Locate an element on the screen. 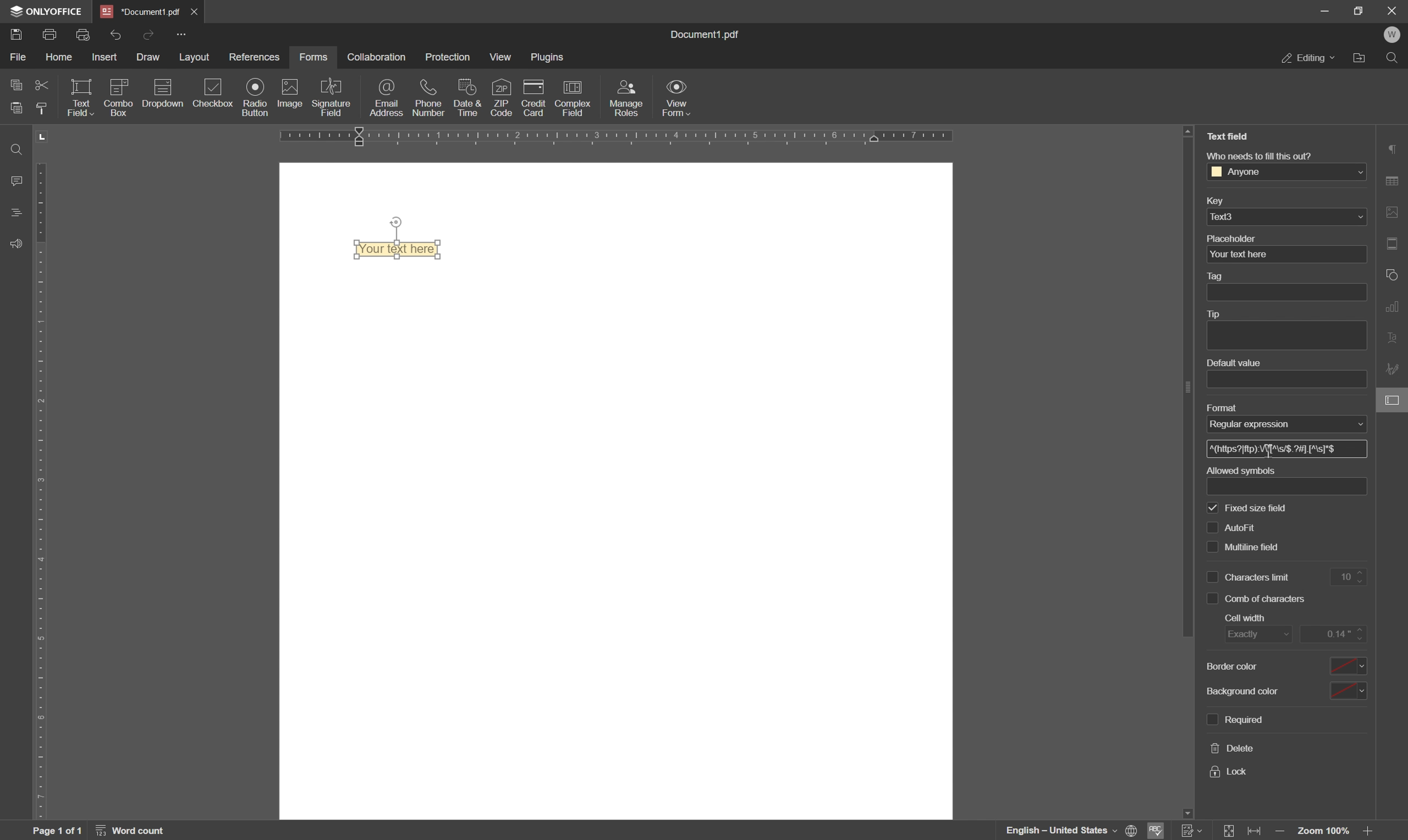 The image size is (1408, 840). shape settings is located at coordinates (1393, 274).